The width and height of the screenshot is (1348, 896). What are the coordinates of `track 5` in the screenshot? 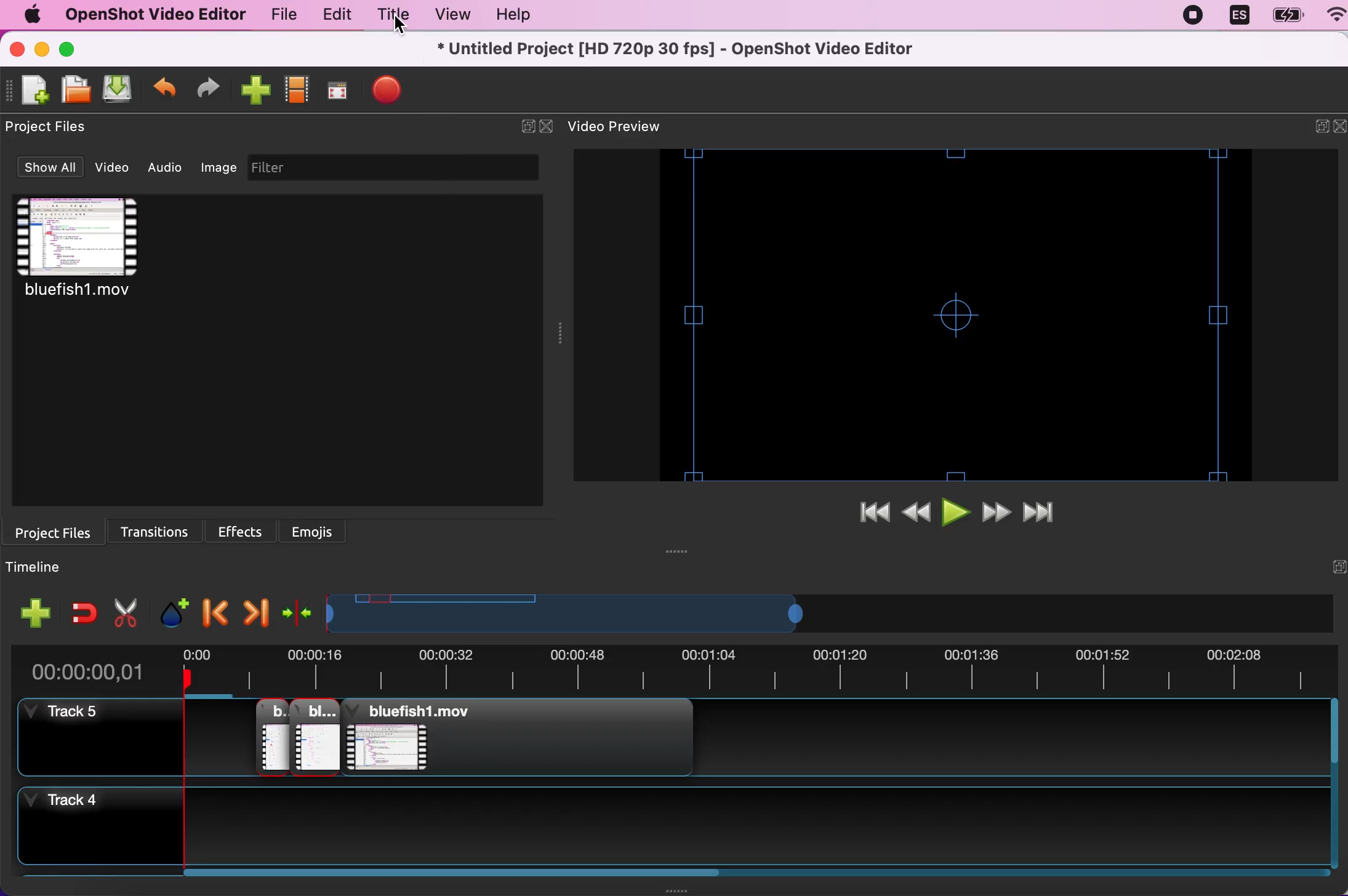 It's located at (93, 736).